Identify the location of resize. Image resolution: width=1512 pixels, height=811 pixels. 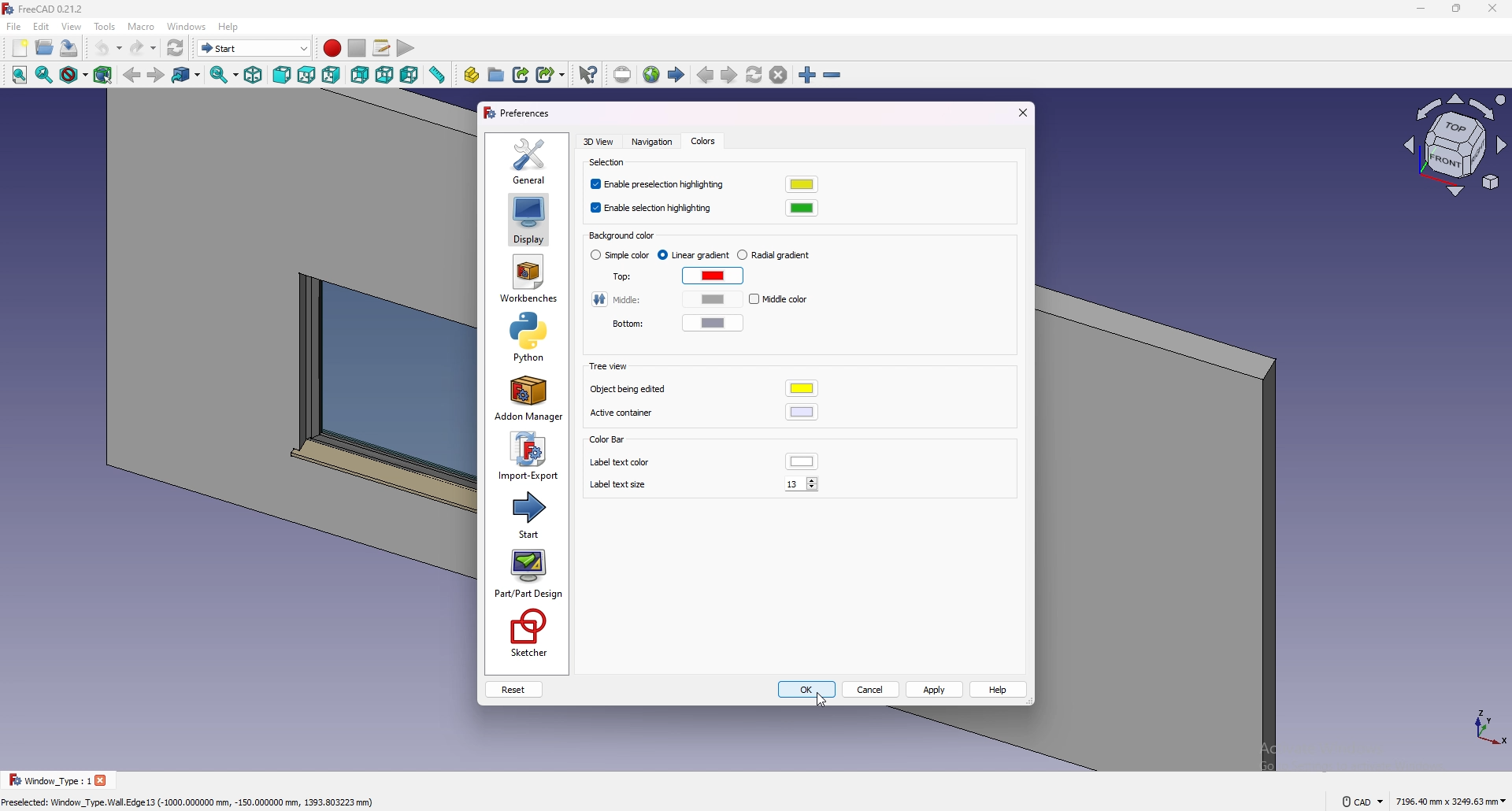
(1457, 9).